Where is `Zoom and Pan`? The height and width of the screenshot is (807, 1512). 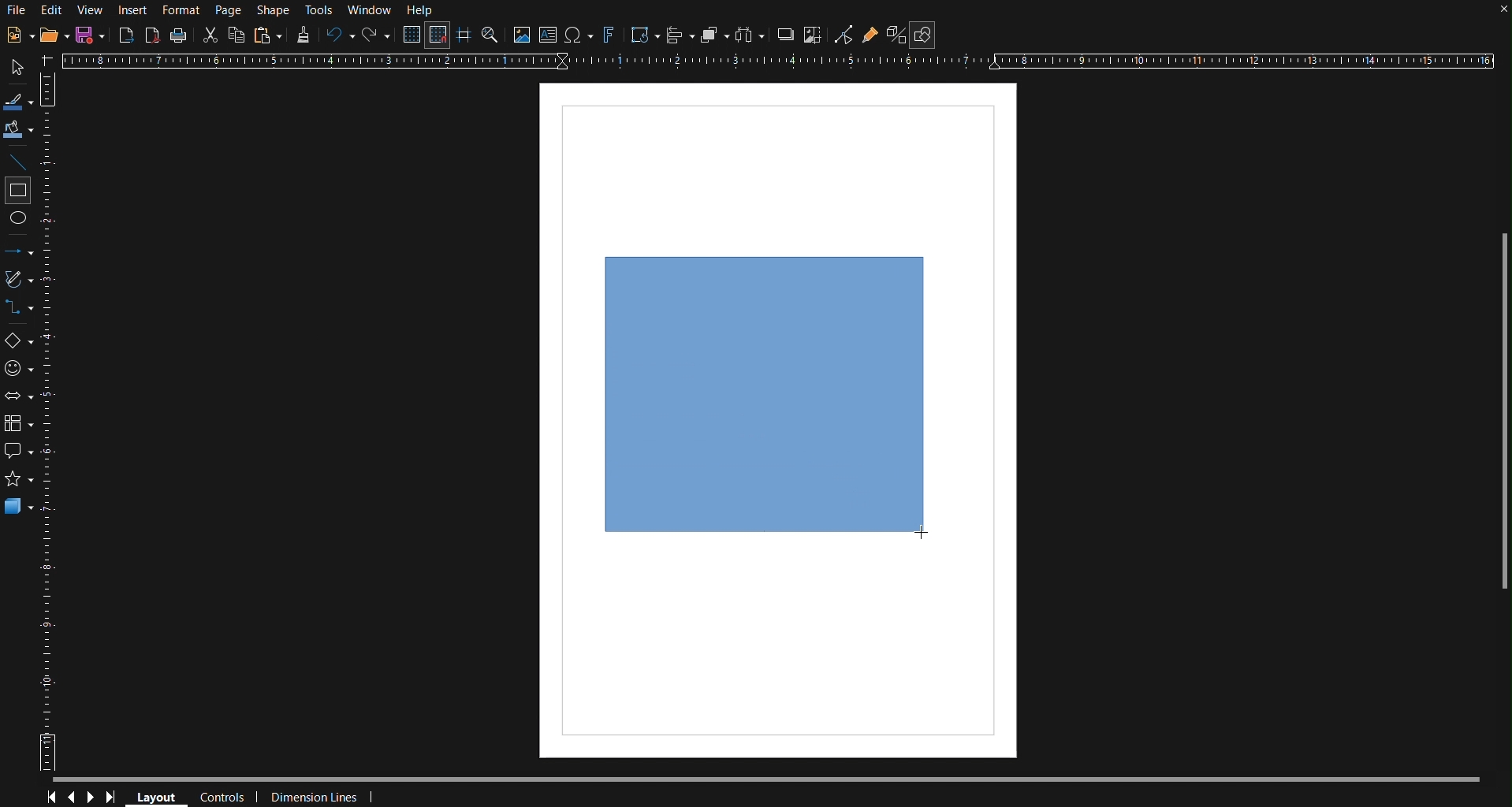
Zoom and Pan is located at coordinates (490, 34).